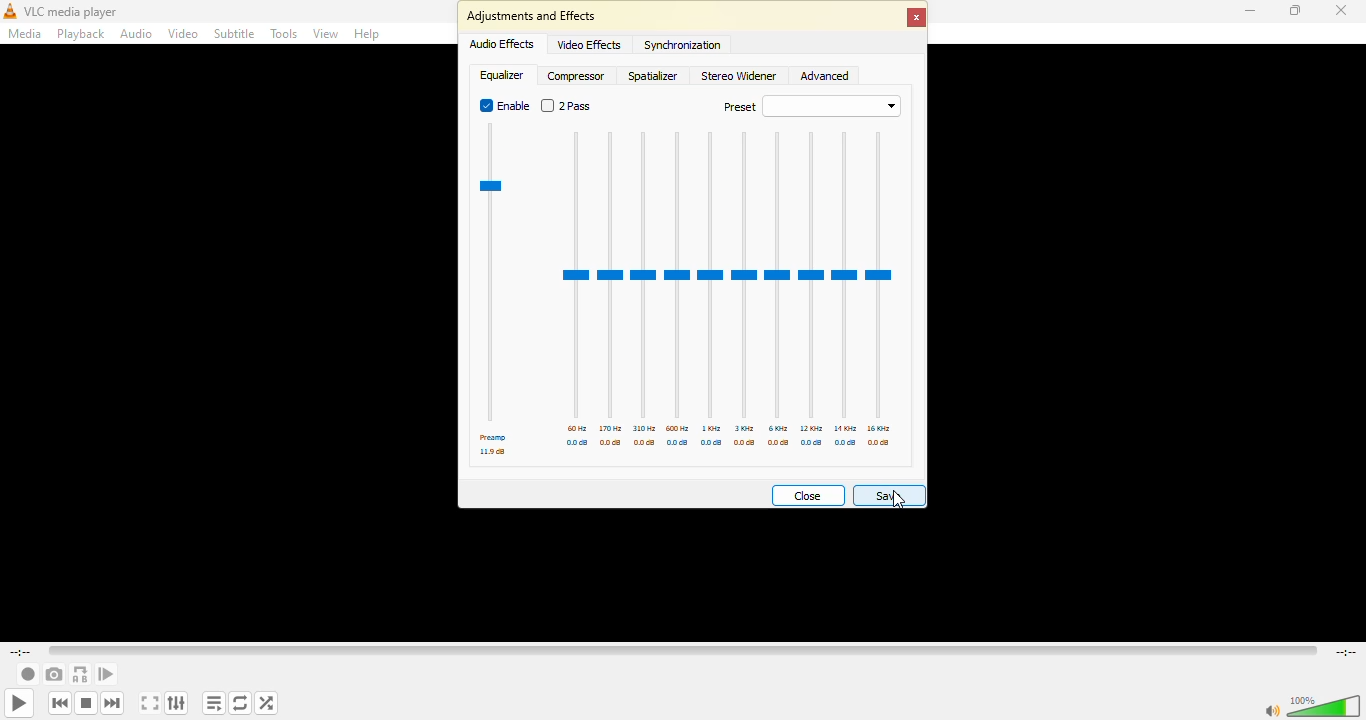 Image resolution: width=1366 pixels, height=720 pixels. Describe the element at coordinates (610, 443) in the screenshot. I see `db` at that location.